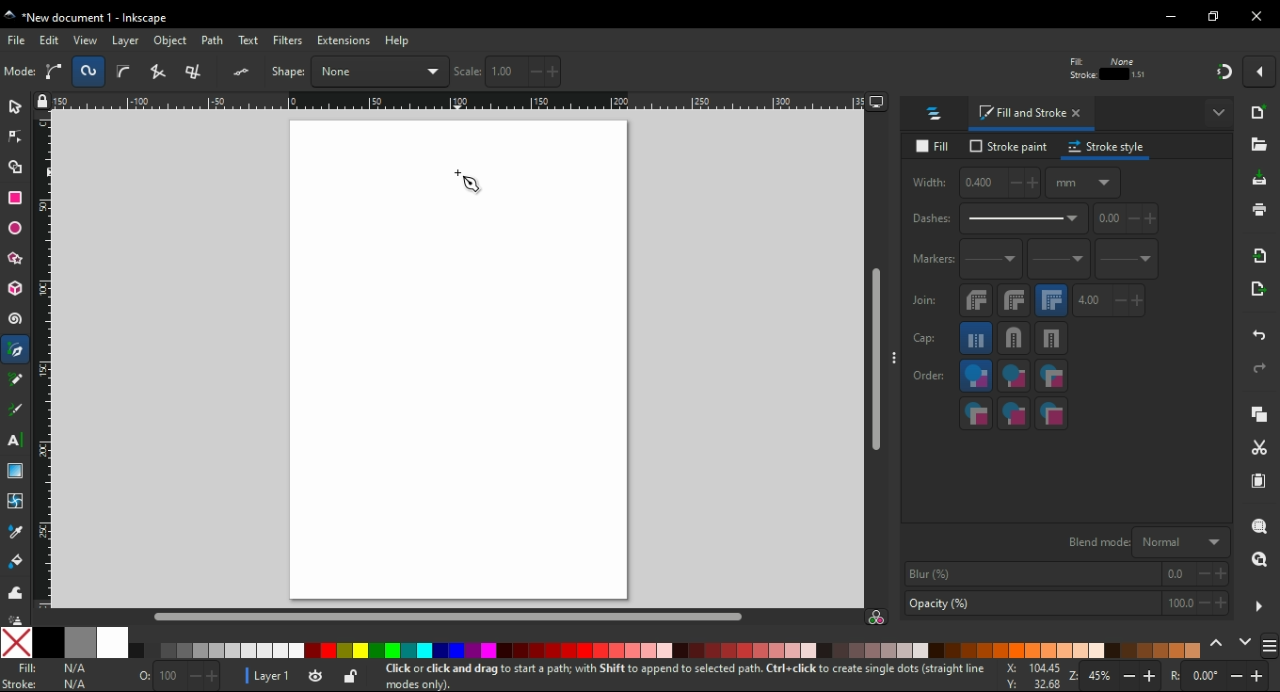 This screenshot has width=1280, height=692. What do you see at coordinates (16, 197) in the screenshot?
I see `rectangle tool` at bounding box center [16, 197].